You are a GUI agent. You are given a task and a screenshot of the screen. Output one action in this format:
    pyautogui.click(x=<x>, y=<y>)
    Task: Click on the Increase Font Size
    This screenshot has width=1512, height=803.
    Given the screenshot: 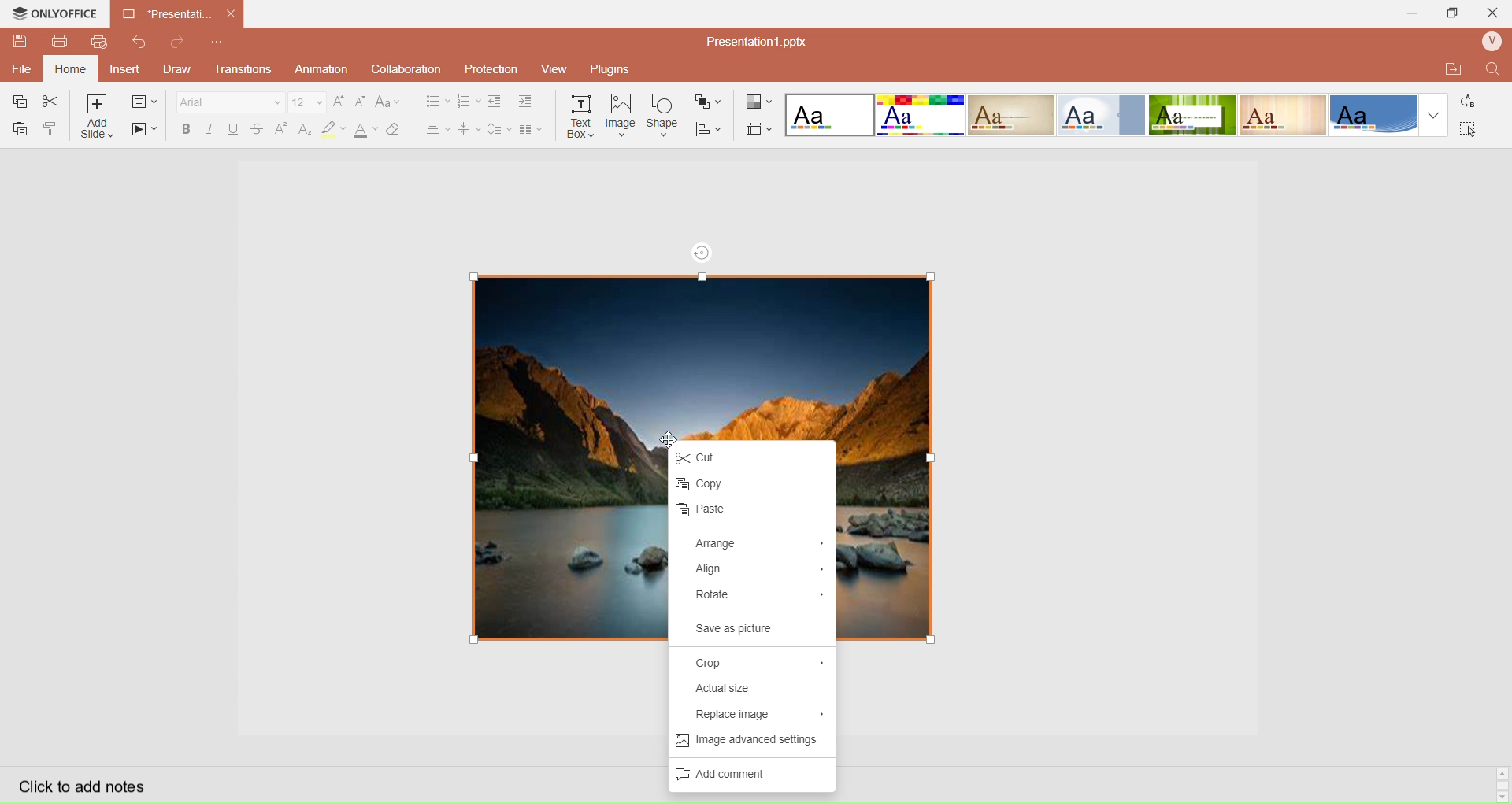 What is the action you would take?
    pyautogui.click(x=338, y=100)
    